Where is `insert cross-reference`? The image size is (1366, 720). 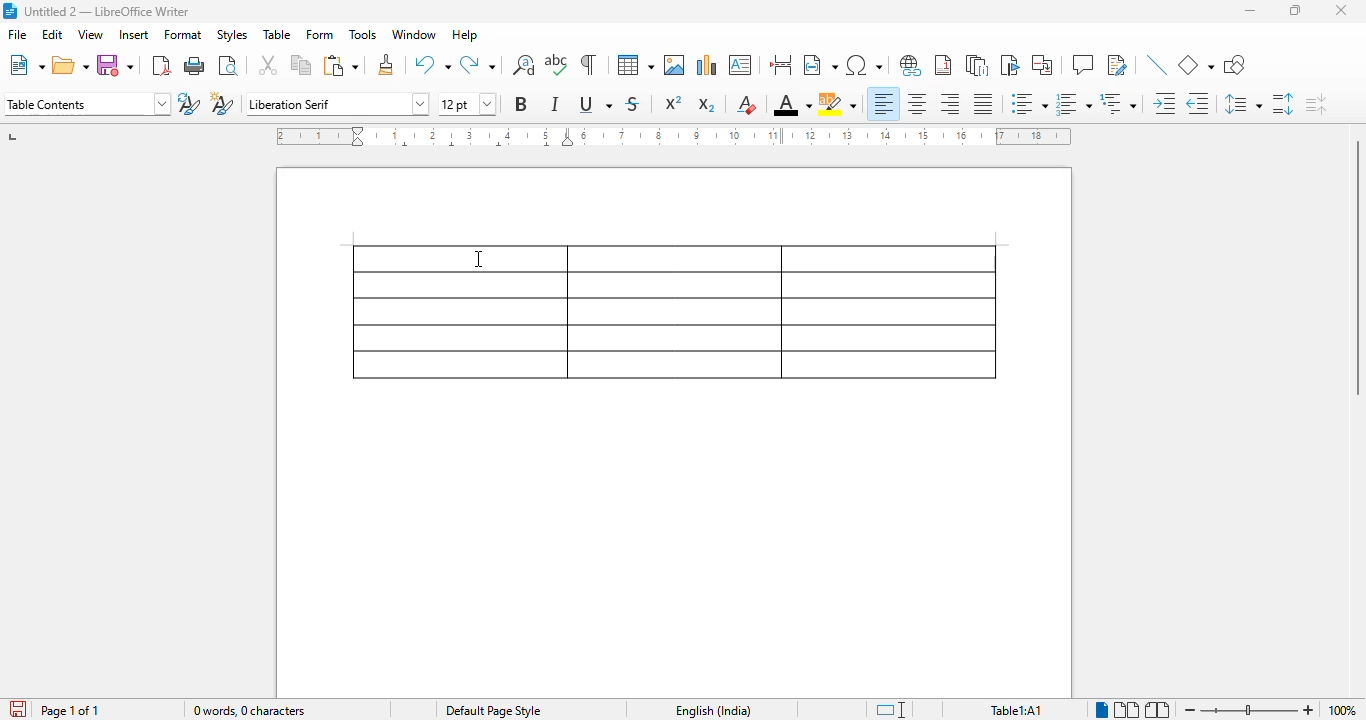
insert cross-reference is located at coordinates (1041, 64).